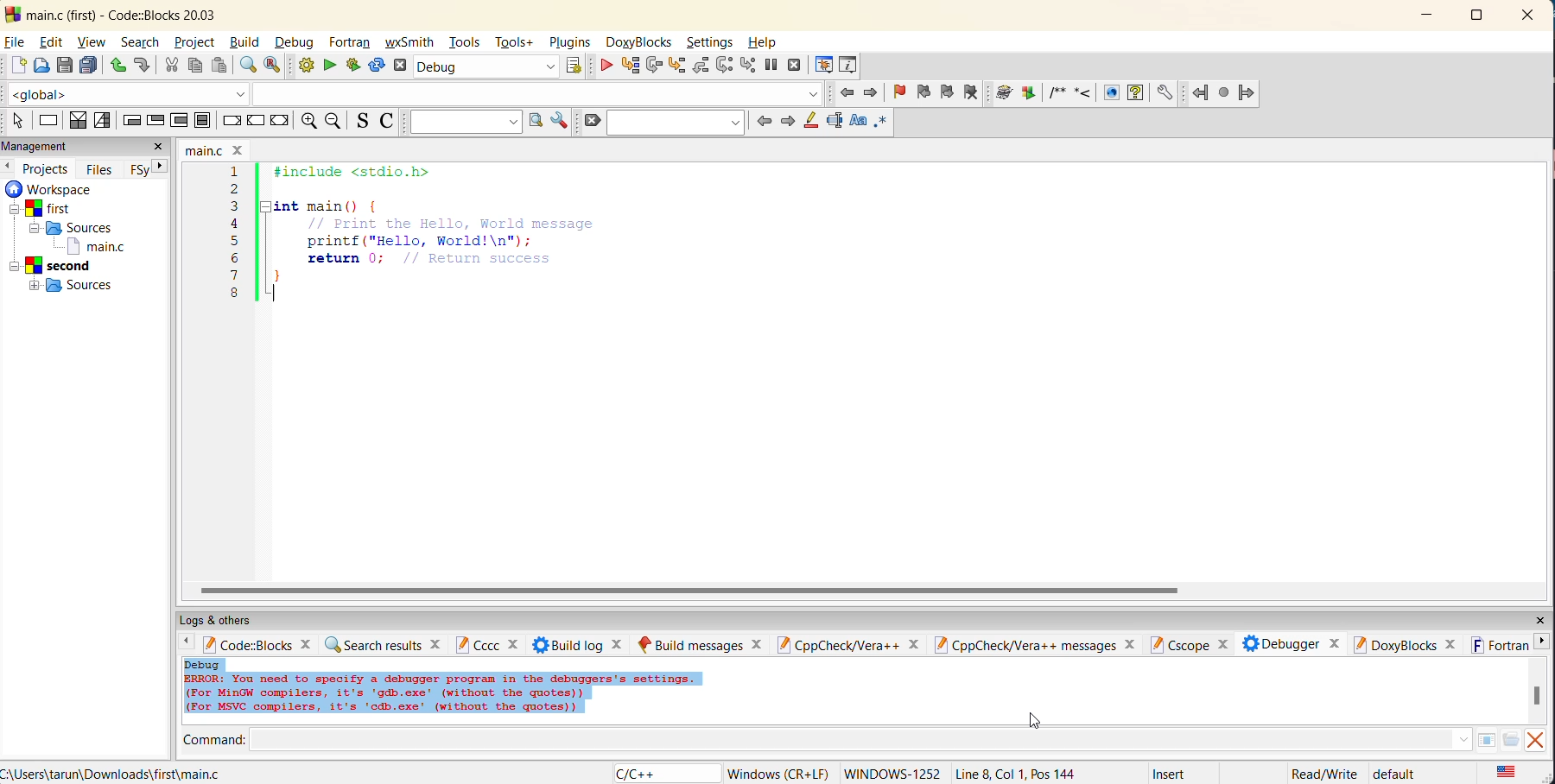 This screenshot has height=784, width=1555. What do you see at coordinates (352, 42) in the screenshot?
I see `fortran` at bounding box center [352, 42].